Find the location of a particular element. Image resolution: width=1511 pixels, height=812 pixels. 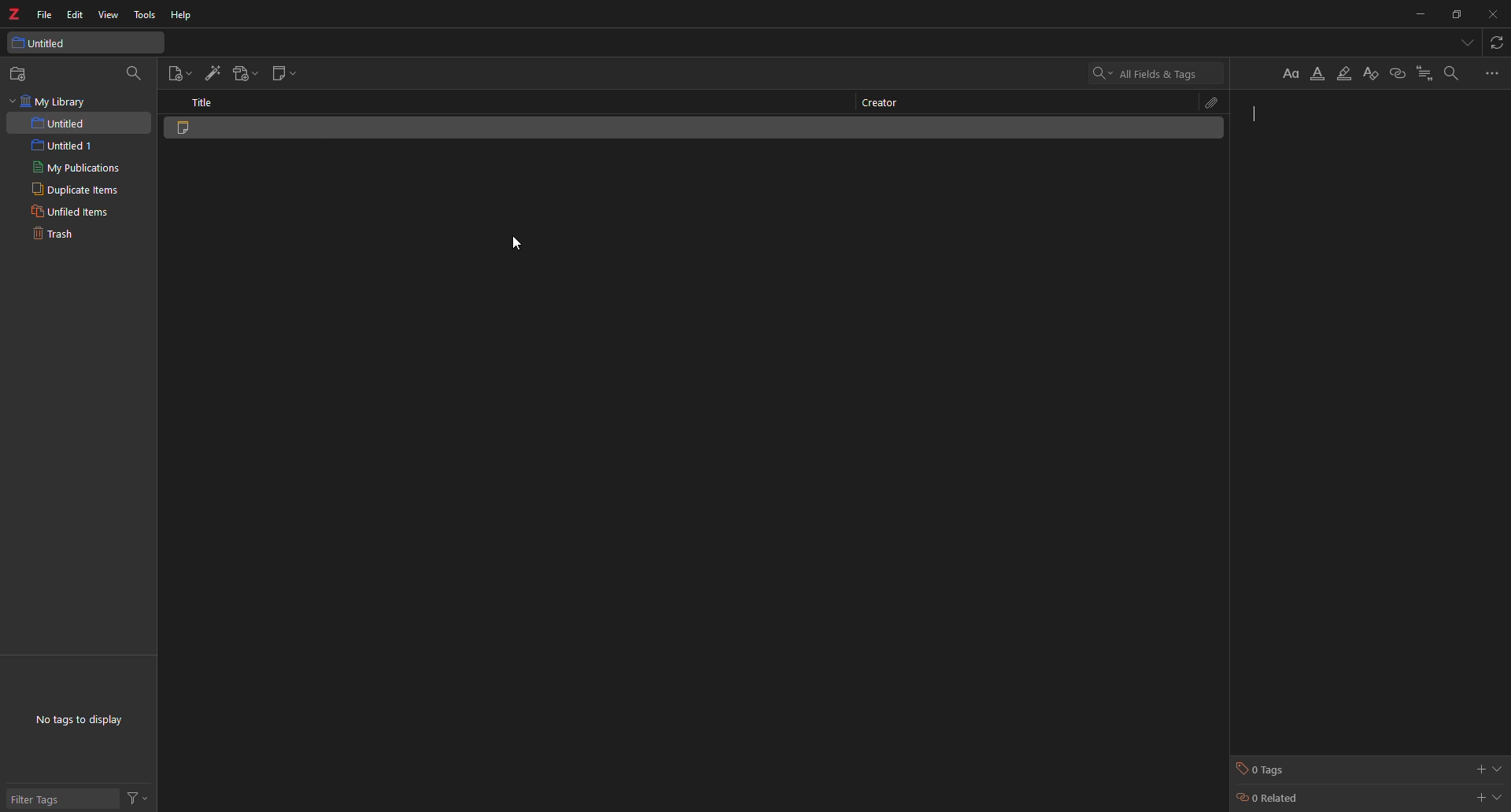

add attachment is located at coordinates (247, 72).